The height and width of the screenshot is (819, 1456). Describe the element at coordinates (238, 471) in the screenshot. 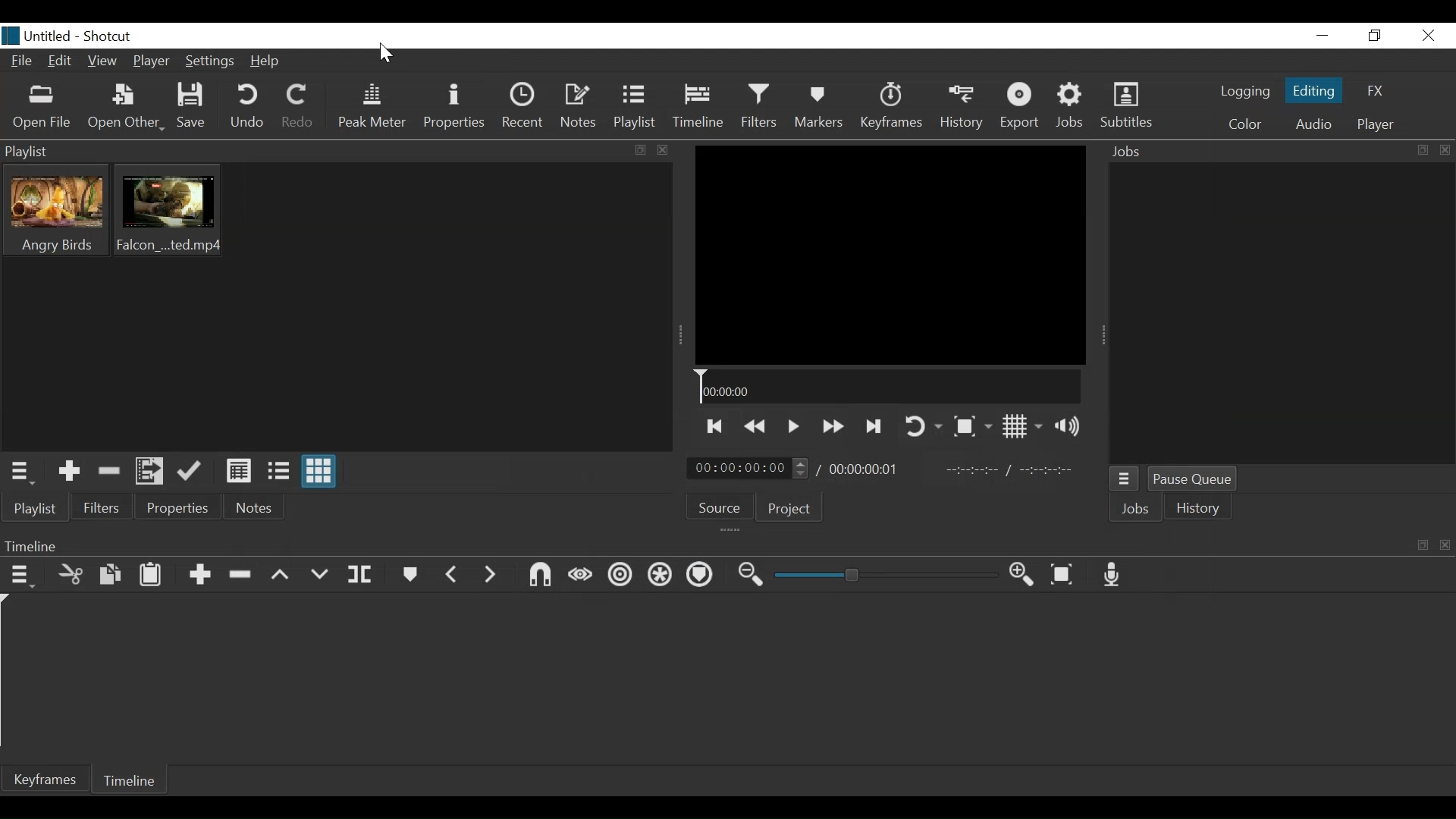

I see `View as Detail` at that location.